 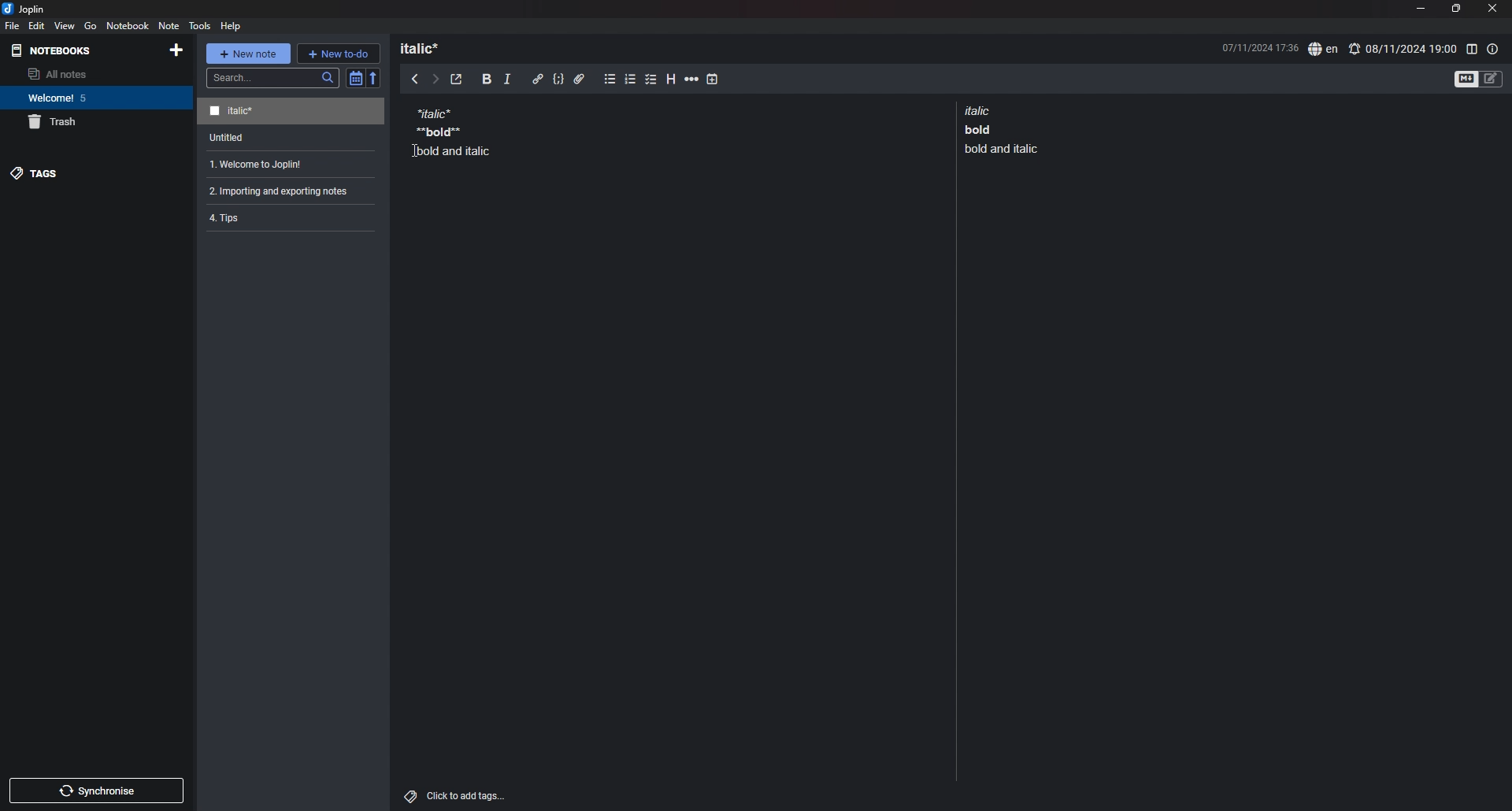 What do you see at coordinates (538, 79) in the screenshot?
I see `hyperlink` at bounding box center [538, 79].